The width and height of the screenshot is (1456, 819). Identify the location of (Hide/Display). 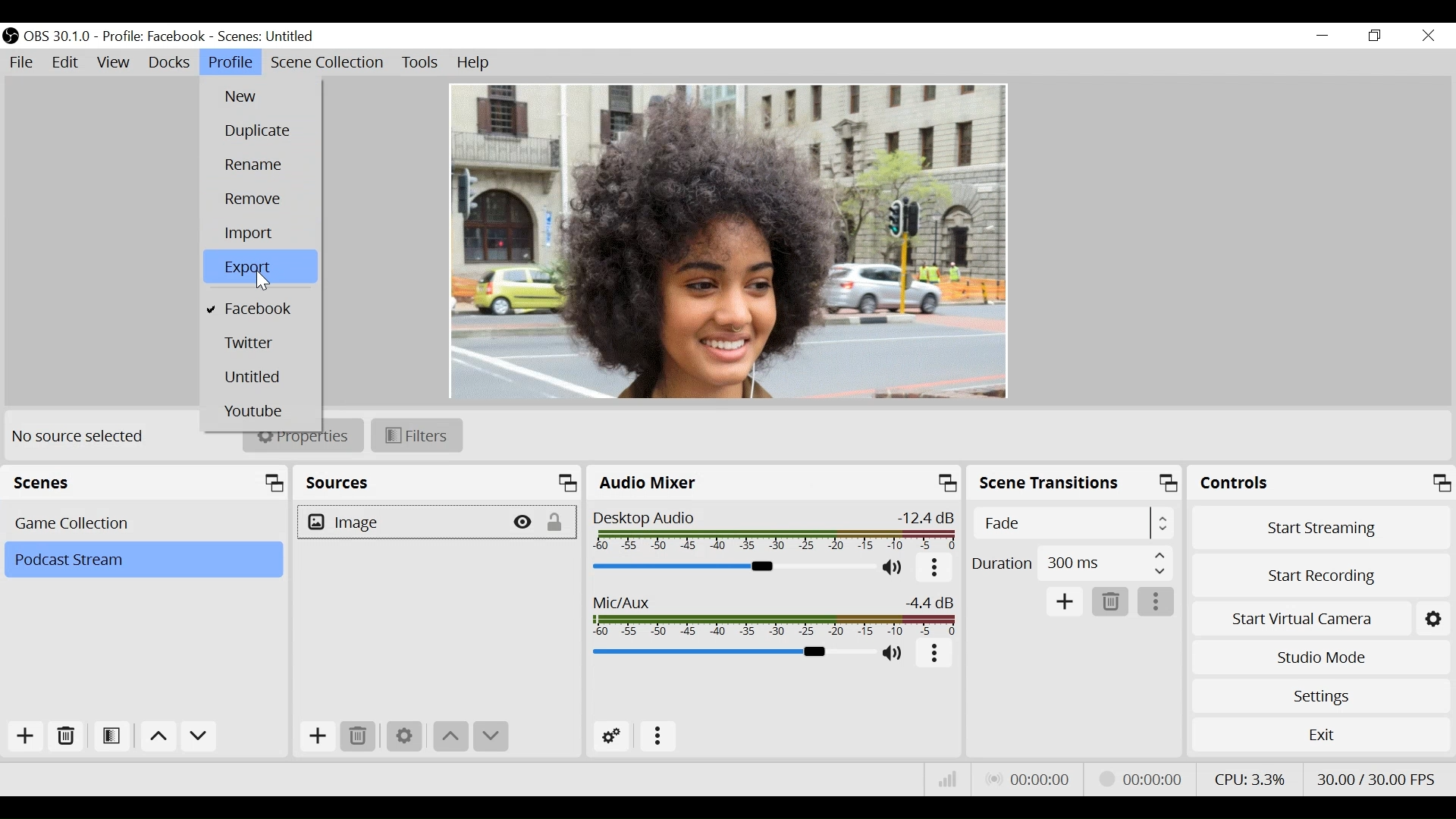
(526, 522).